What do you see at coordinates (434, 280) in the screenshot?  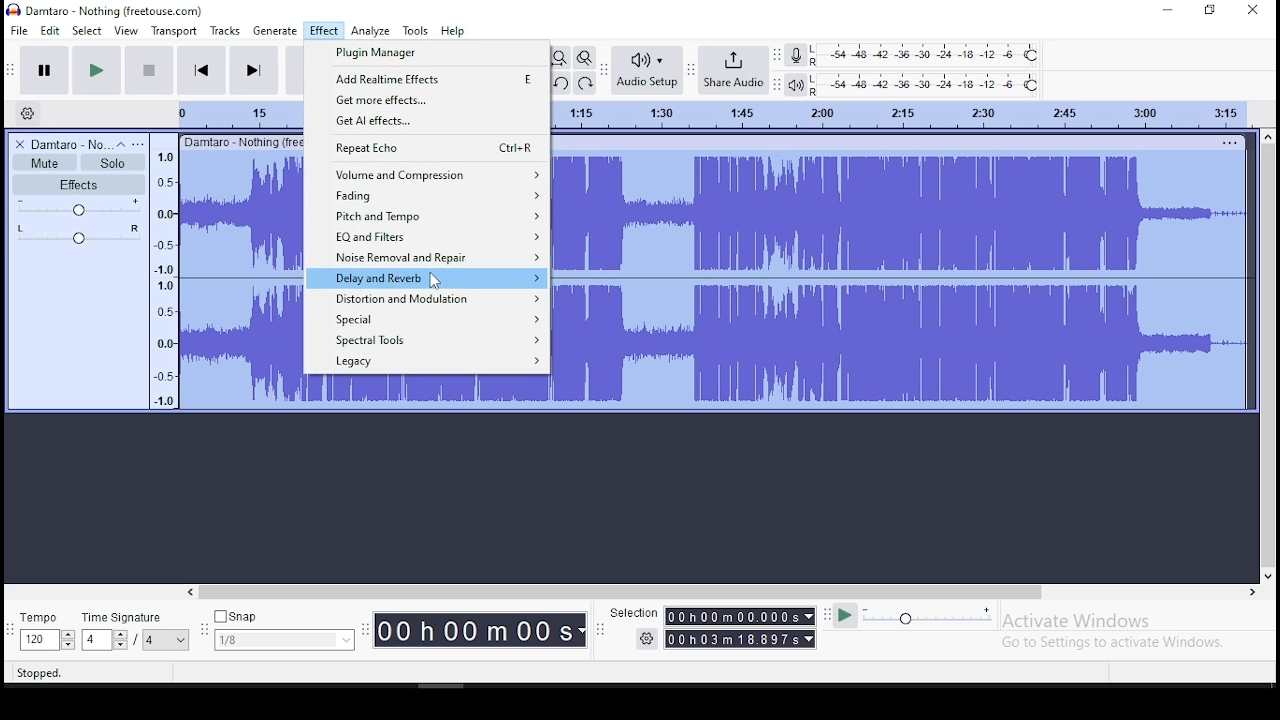 I see `Cursor` at bounding box center [434, 280].